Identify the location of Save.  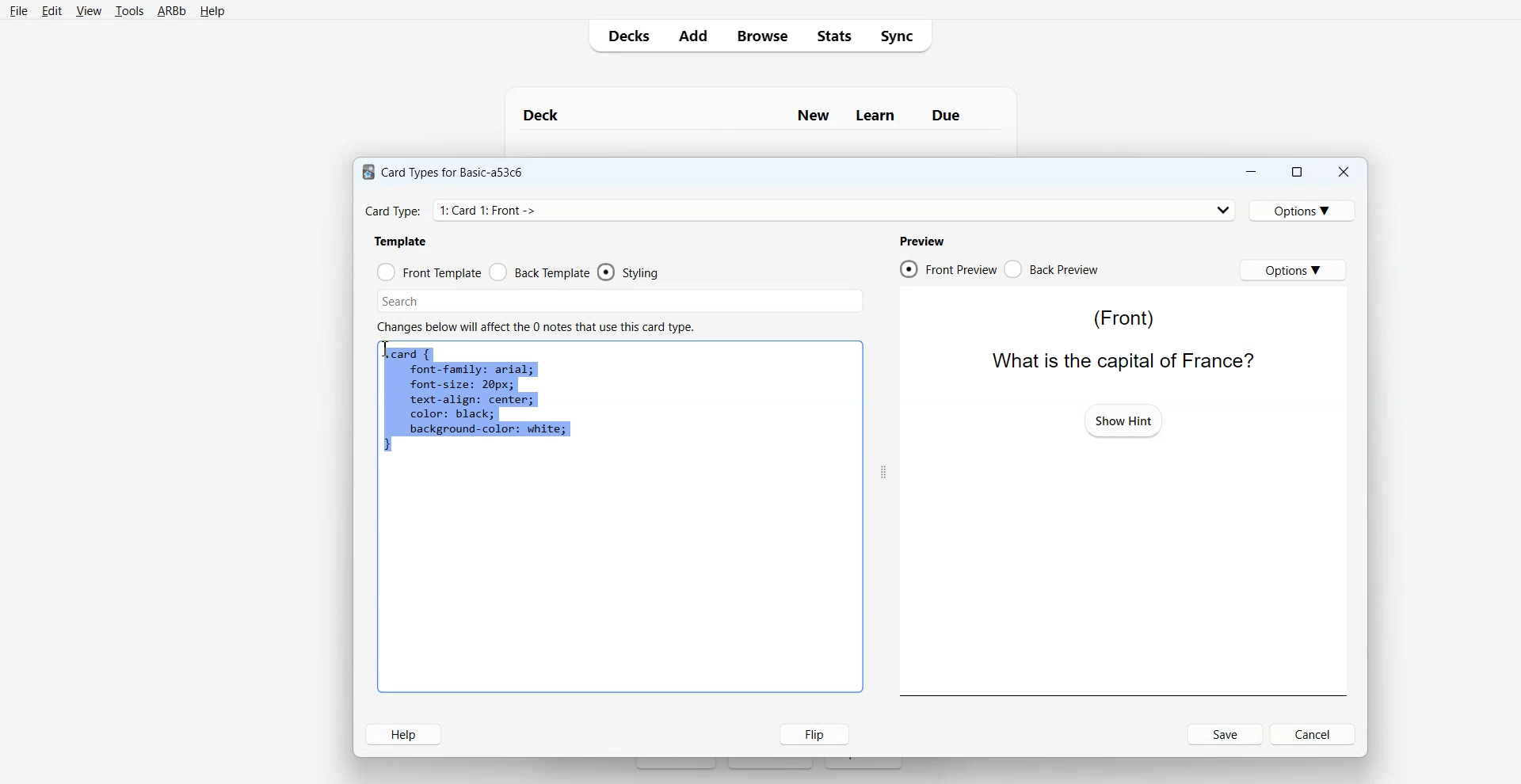
(1226, 734).